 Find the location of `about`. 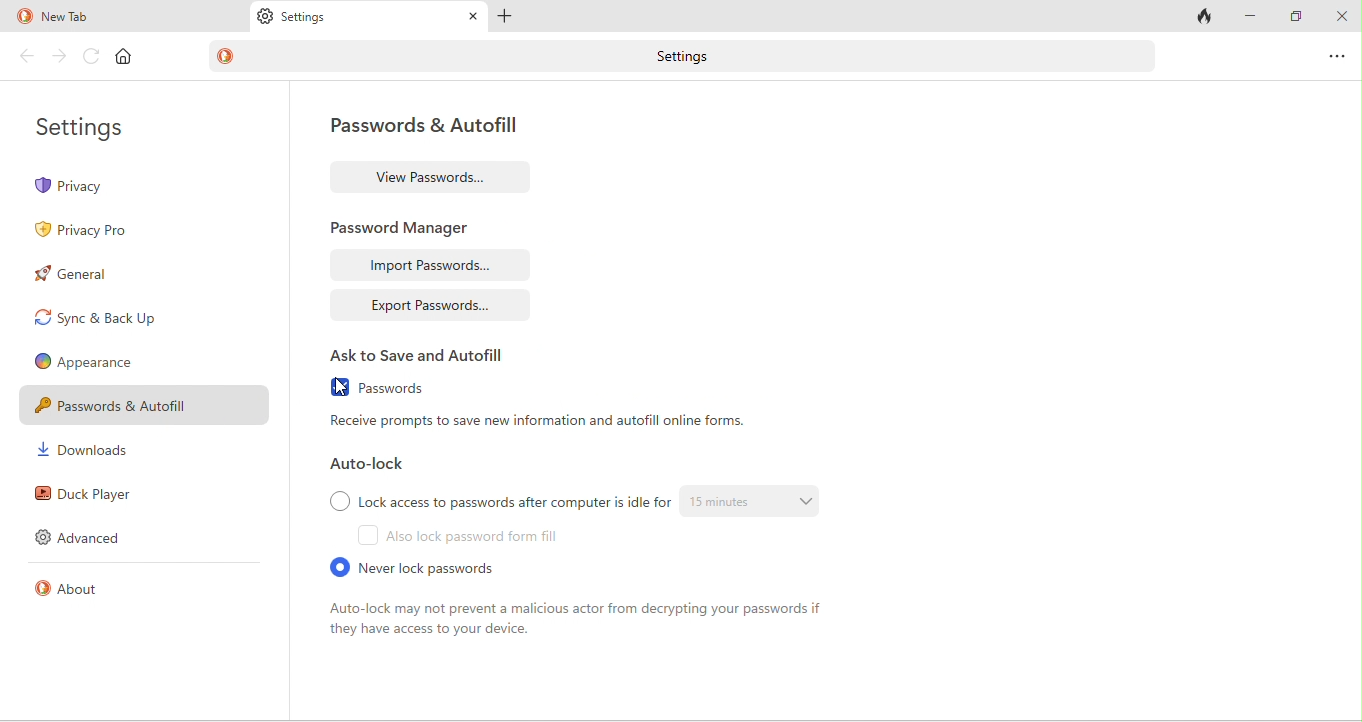

about is located at coordinates (84, 596).